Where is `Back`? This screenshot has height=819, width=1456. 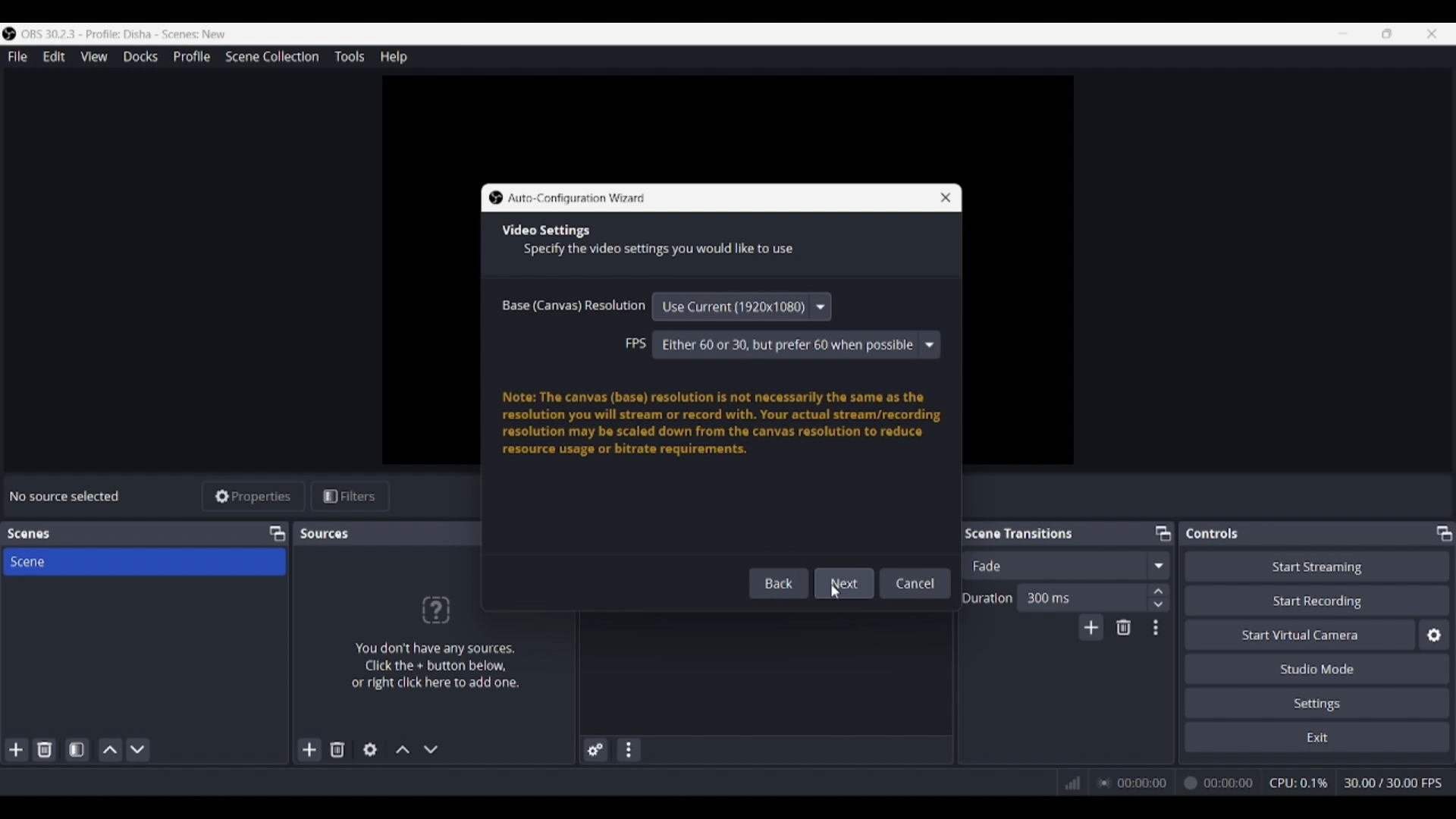
Back is located at coordinates (773, 583).